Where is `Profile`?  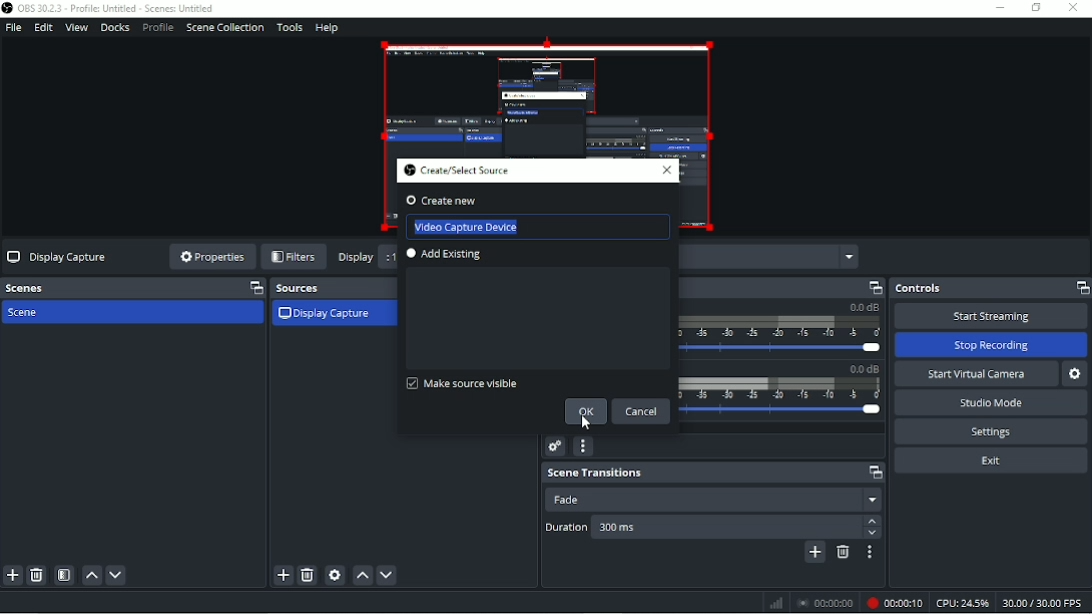 Profile is located at coordinates (158, 28).